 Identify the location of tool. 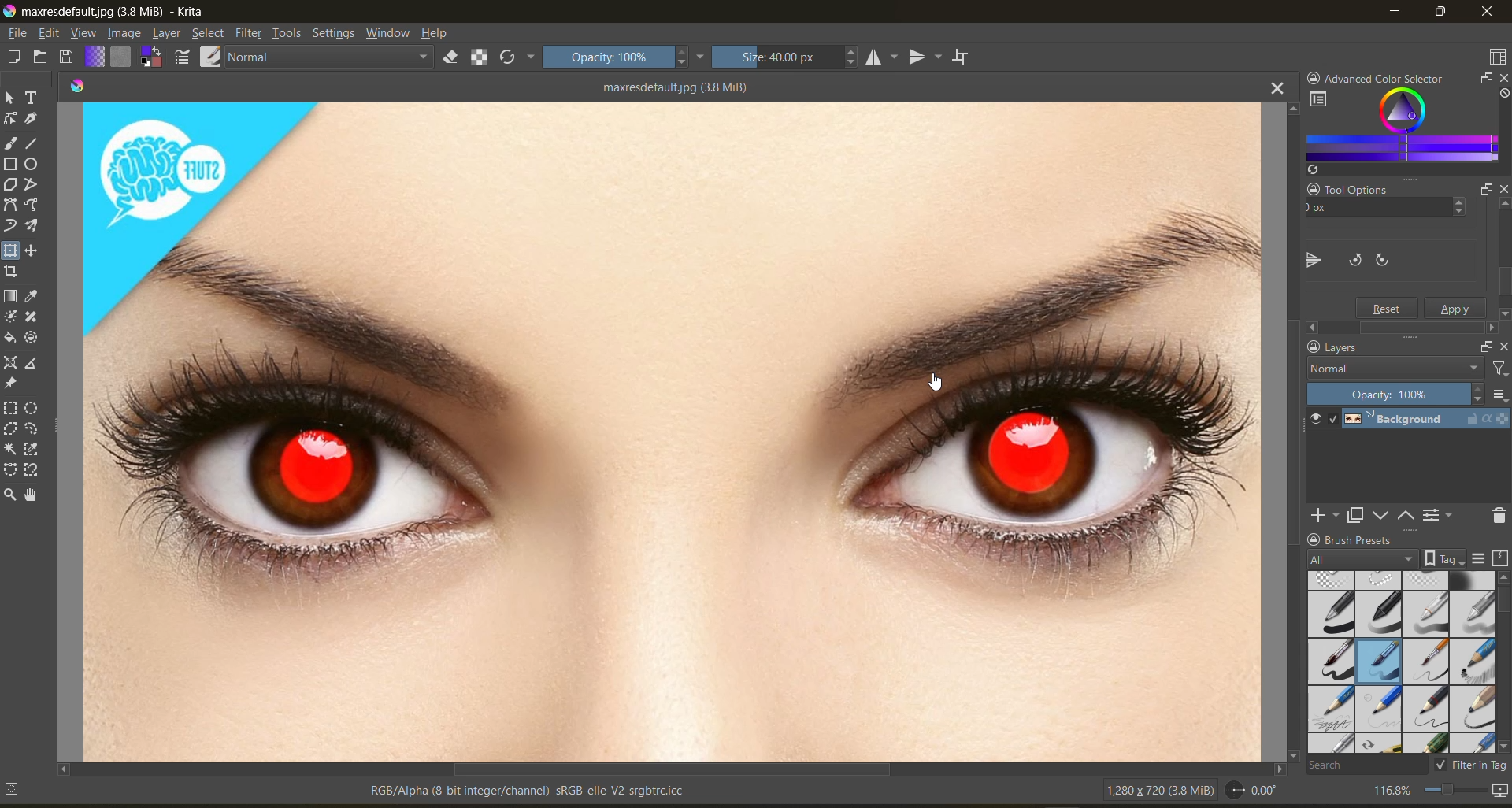
(31, 317).